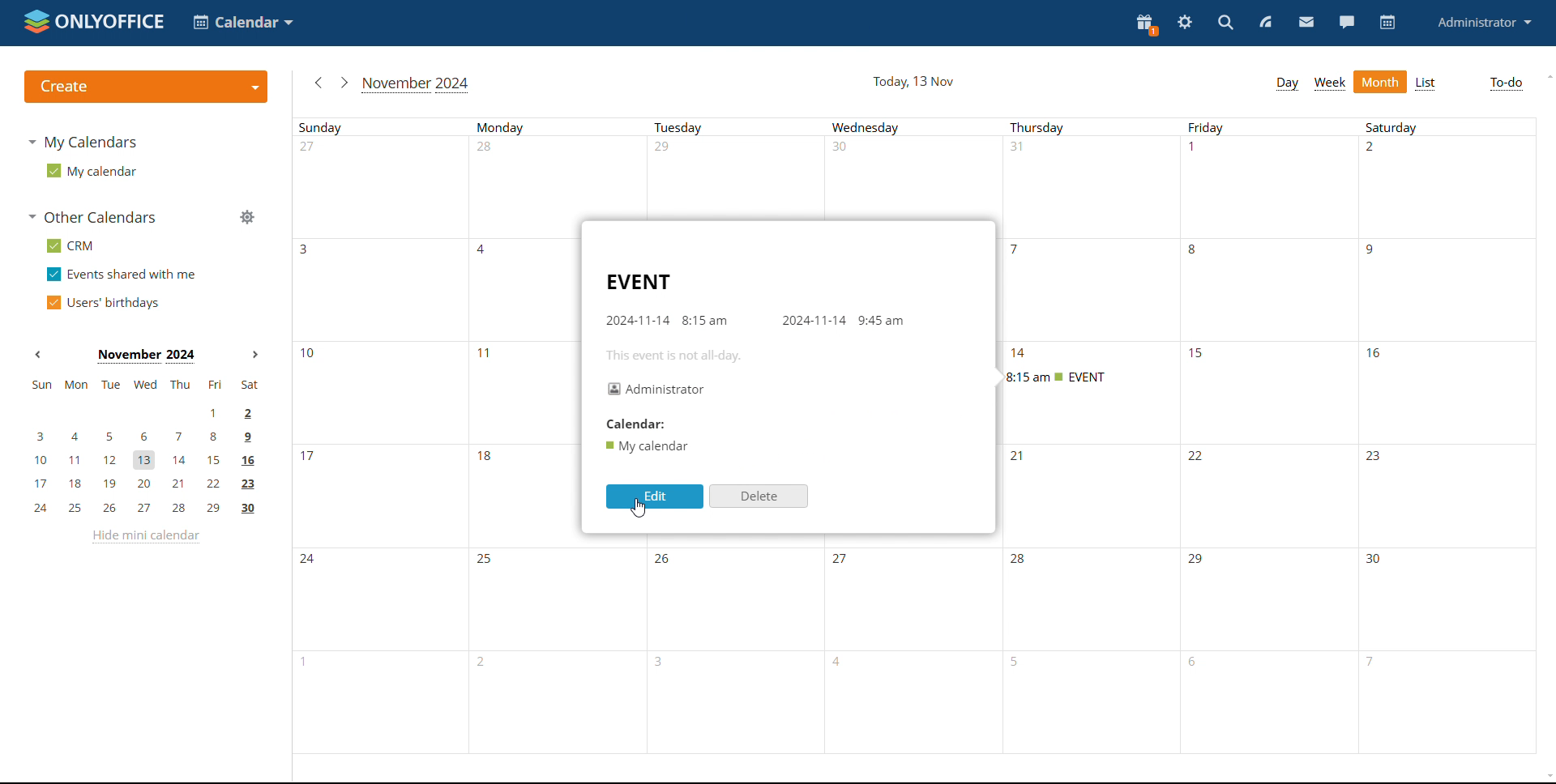 This screenshot has width=1556, height=784. Describe the element at coordinates (246, 217) in the screenshot. I see `manage` at that location.